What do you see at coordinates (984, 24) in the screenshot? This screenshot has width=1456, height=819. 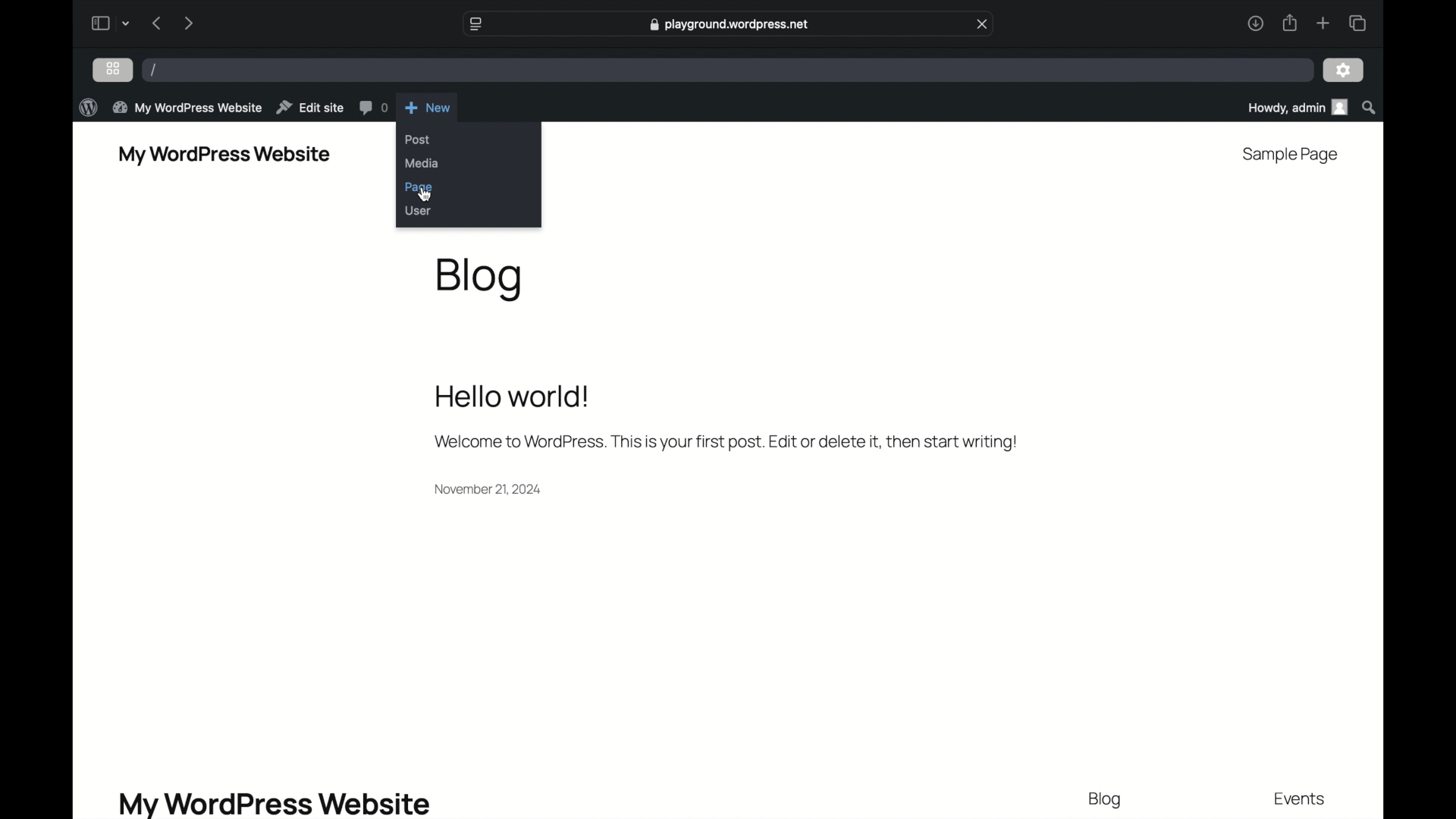 I see `close` at bounding box center [984, 24].